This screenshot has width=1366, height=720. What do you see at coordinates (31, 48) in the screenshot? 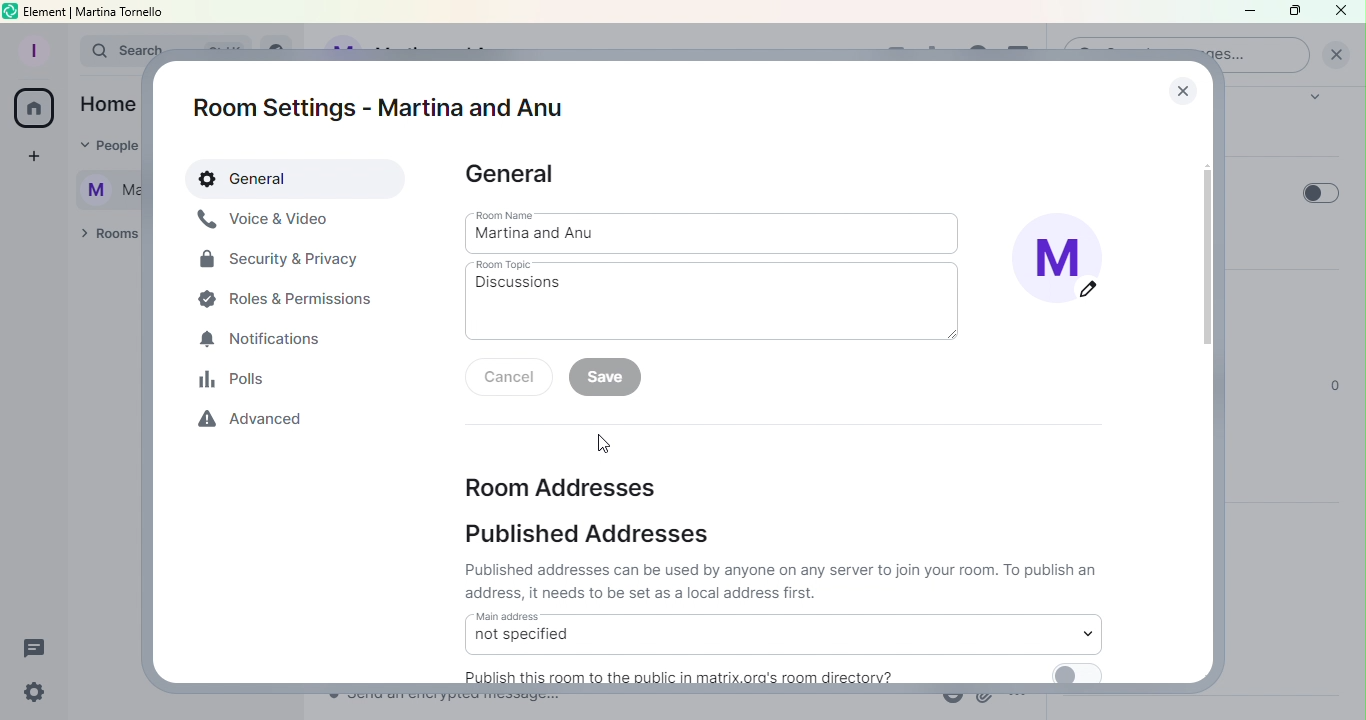
I see `Profile` at bounding box center [31, 48].